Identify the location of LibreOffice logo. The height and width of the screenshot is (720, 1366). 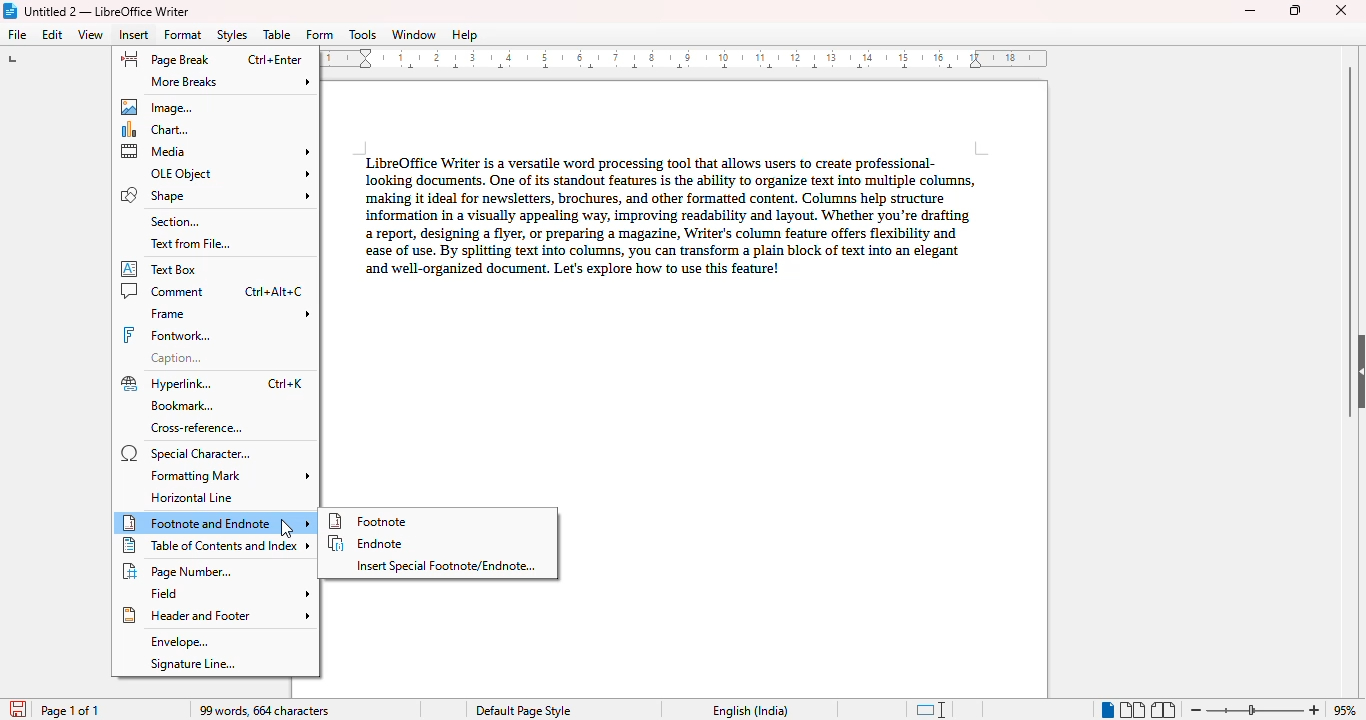
(11, 11).